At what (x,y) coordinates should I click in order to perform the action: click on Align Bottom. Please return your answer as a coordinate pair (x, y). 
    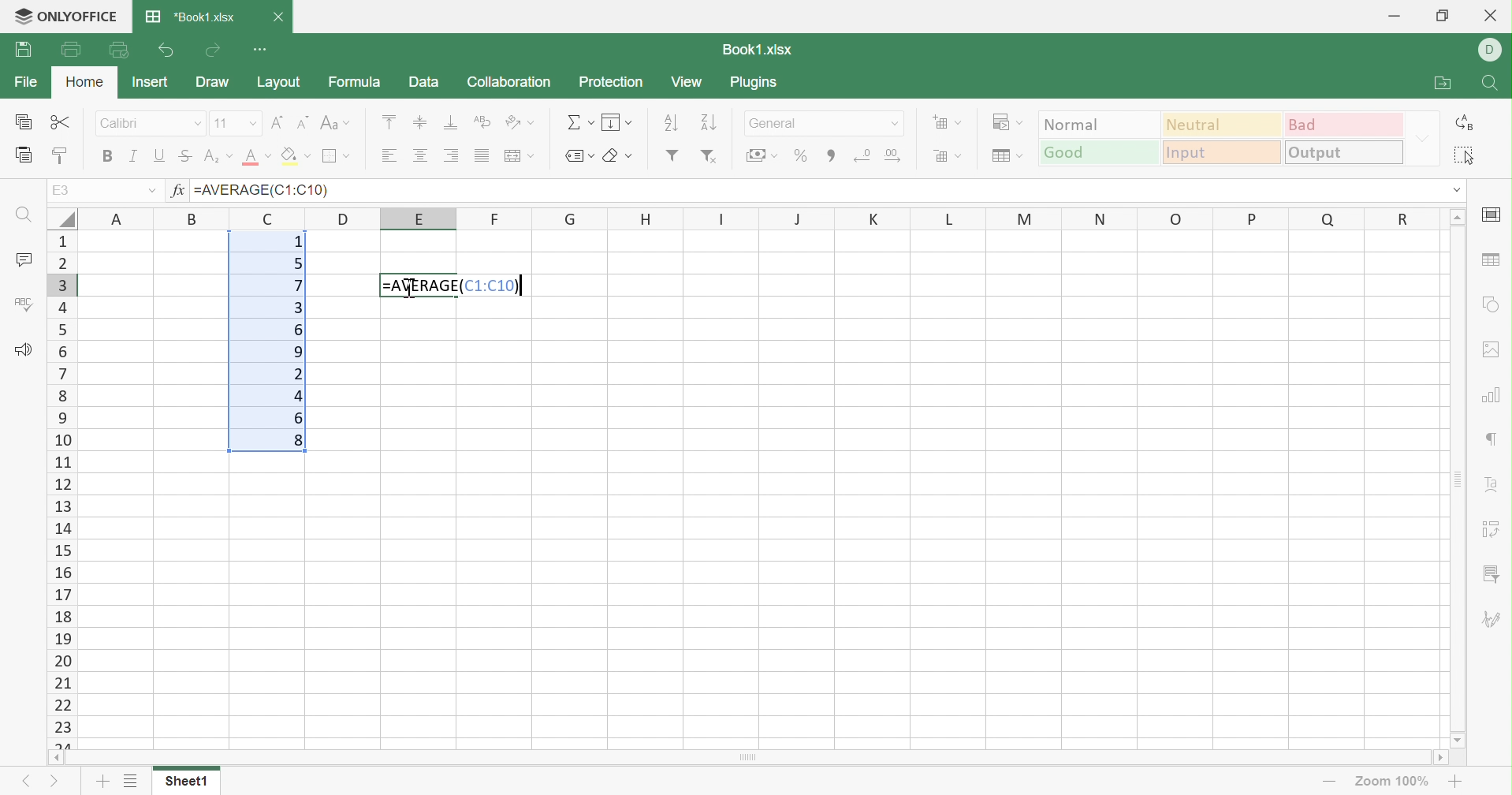
    Looking at the image, I should click on (453, 125).